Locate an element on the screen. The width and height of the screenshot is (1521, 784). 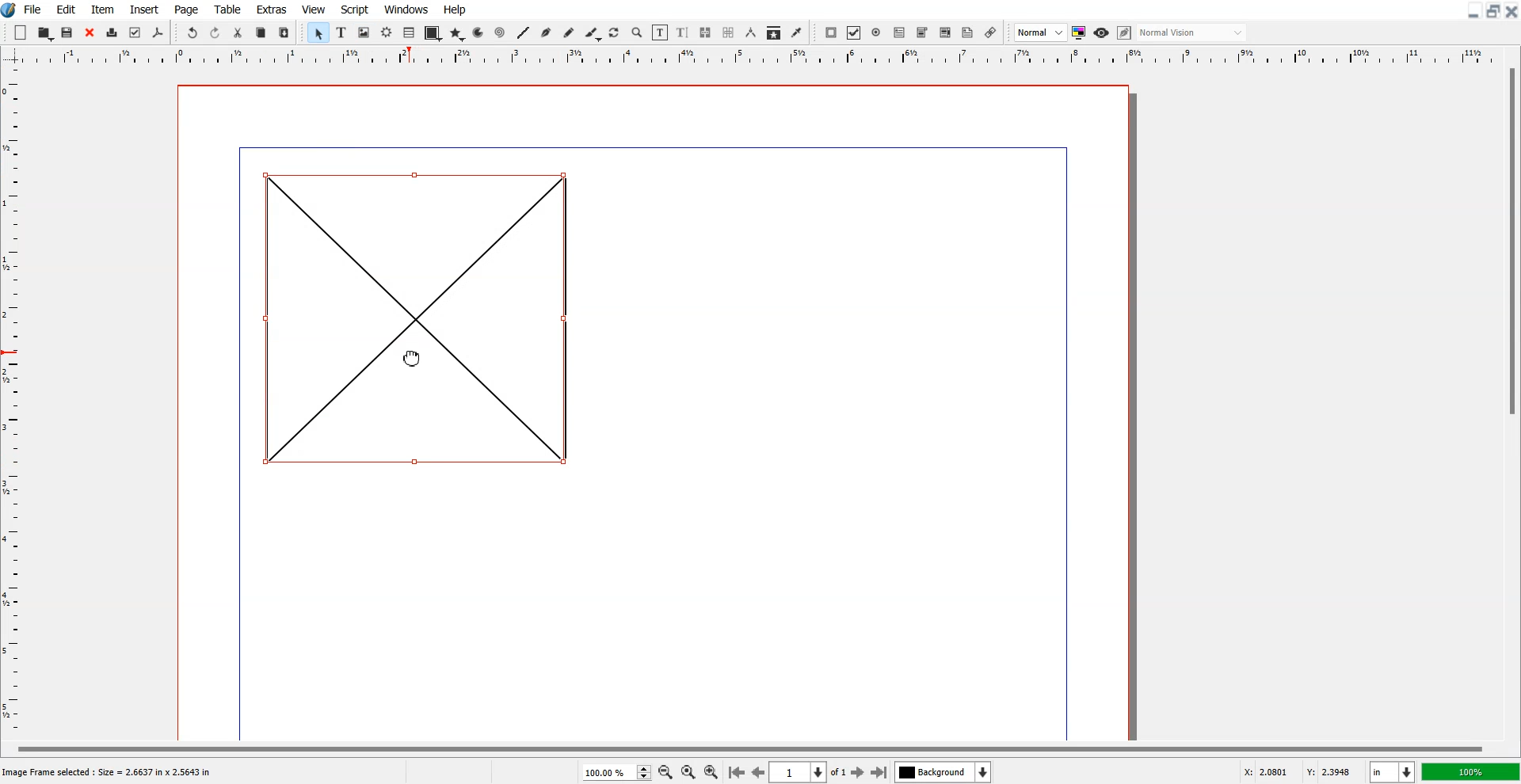
Vertical Scale is located at coordinates (760, 57).